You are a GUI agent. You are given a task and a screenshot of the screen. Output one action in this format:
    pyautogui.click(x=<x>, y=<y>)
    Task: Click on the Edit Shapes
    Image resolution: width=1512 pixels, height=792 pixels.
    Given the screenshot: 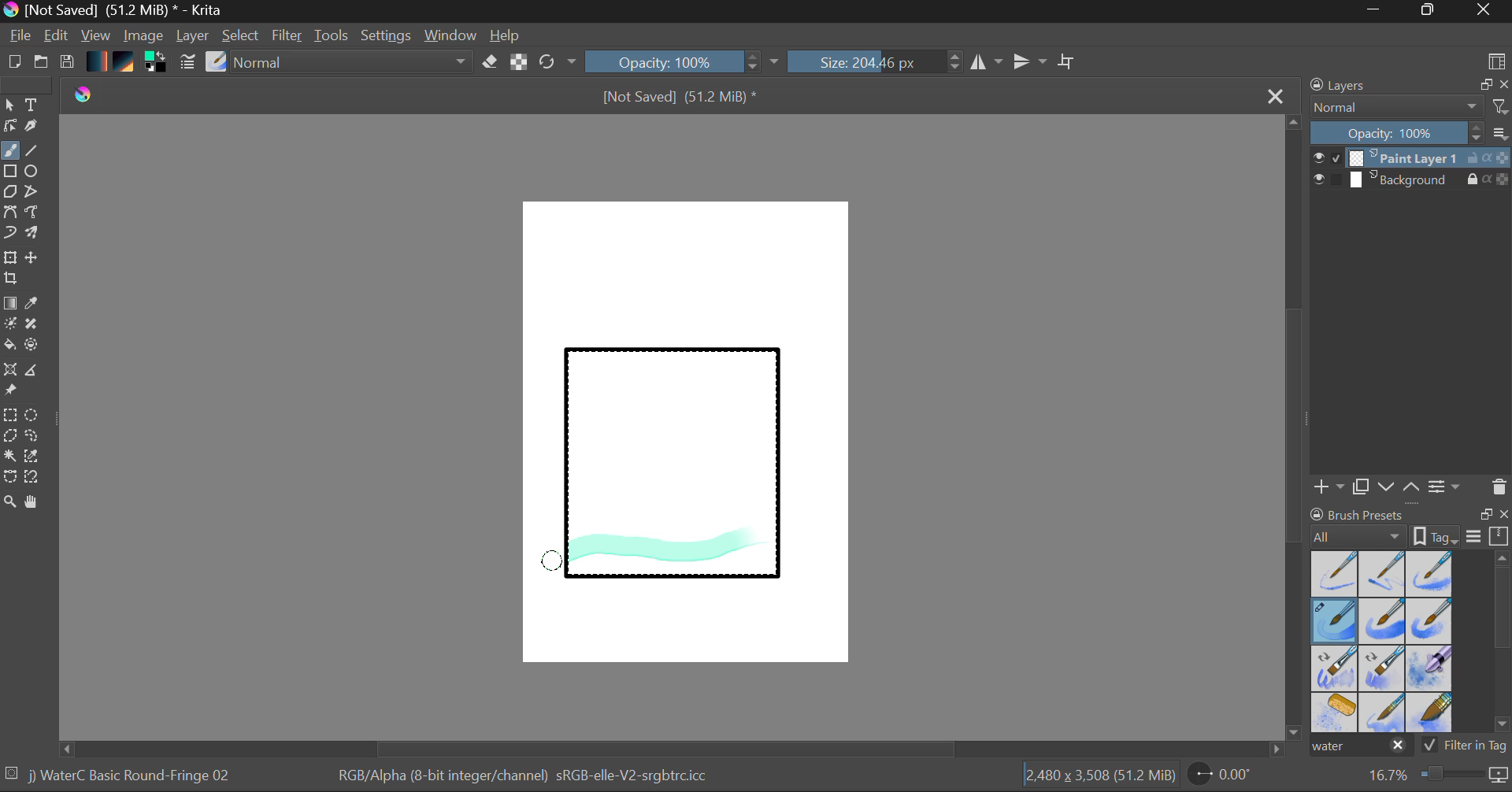 What is the action you would take?
    pyautogui.click(x=9, y=128)
    